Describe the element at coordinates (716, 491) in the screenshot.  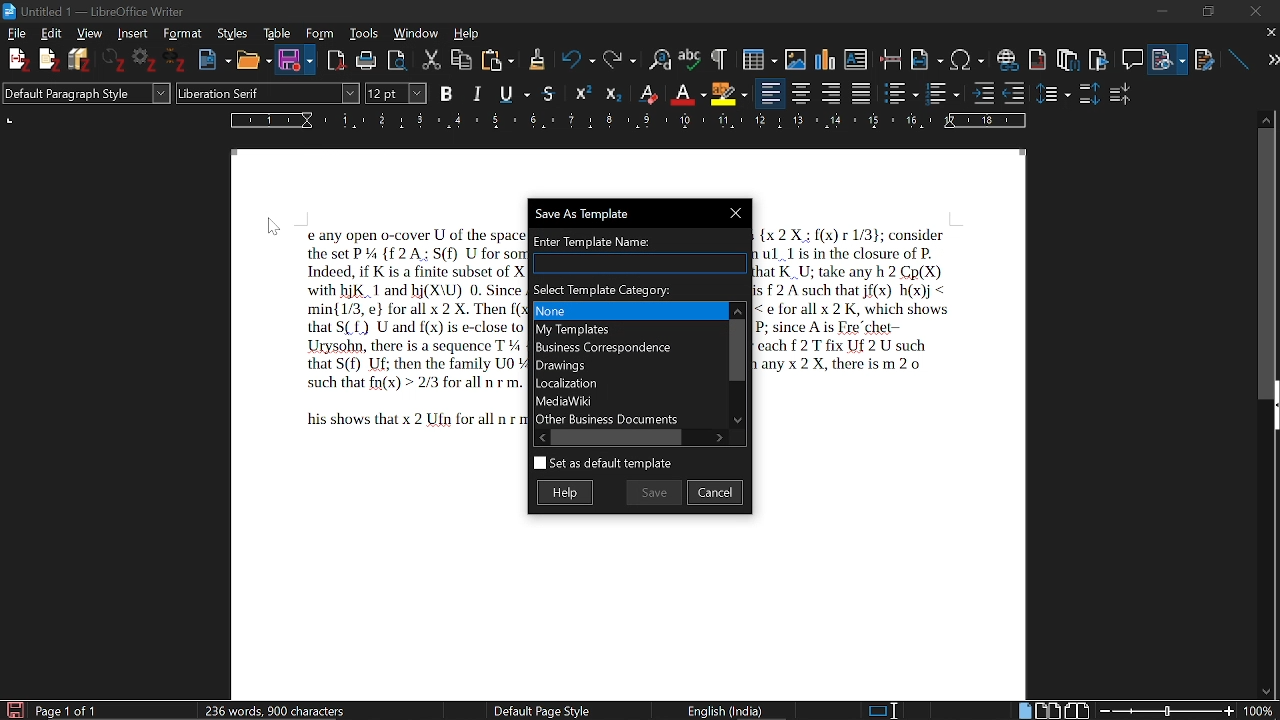
I see `Cancel` at that location.